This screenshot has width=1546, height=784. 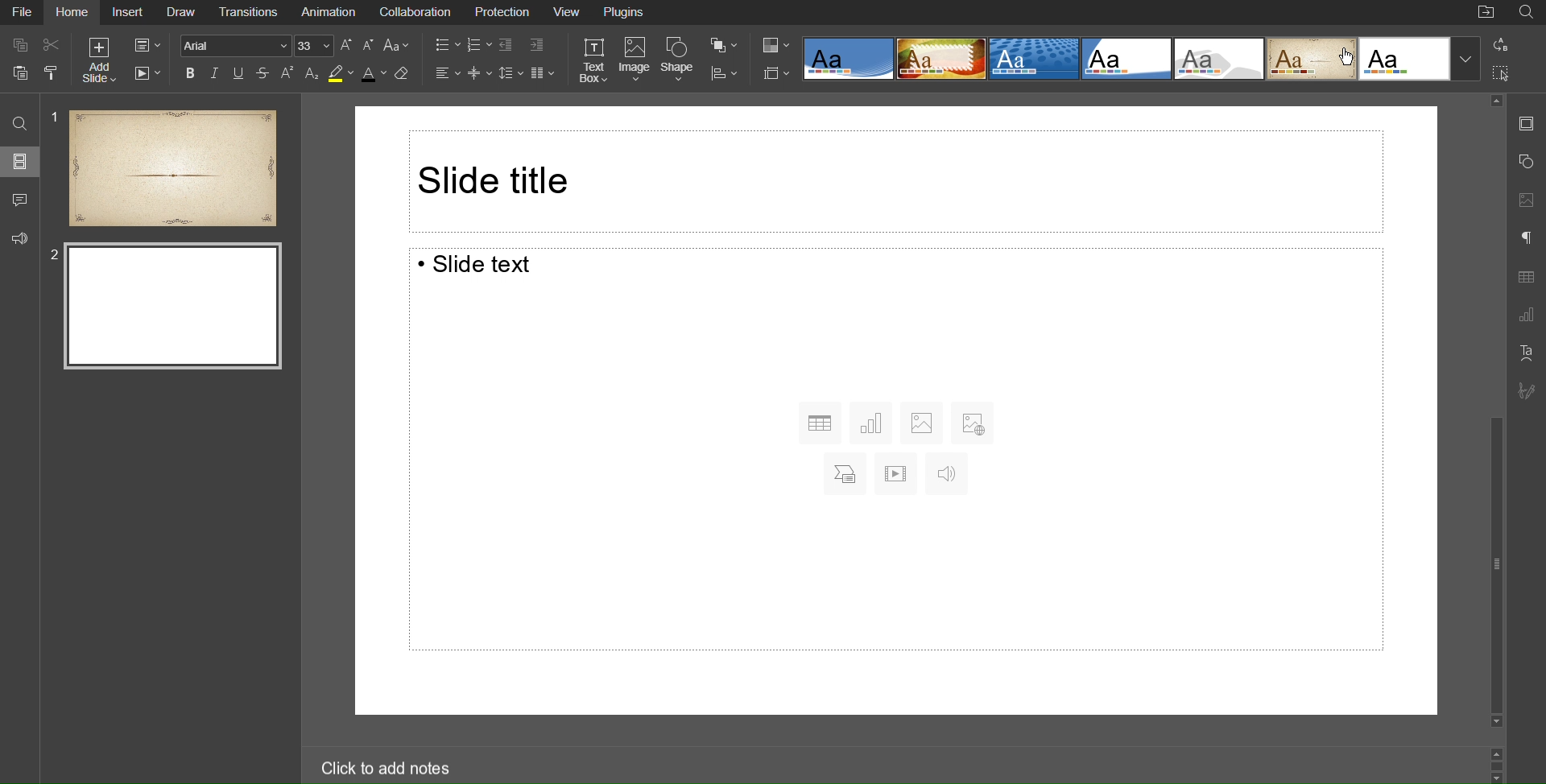 What do you see at coordinates (258, 47) in the screenshot?
I see `Font Settings` at bounding box center [258, 47].